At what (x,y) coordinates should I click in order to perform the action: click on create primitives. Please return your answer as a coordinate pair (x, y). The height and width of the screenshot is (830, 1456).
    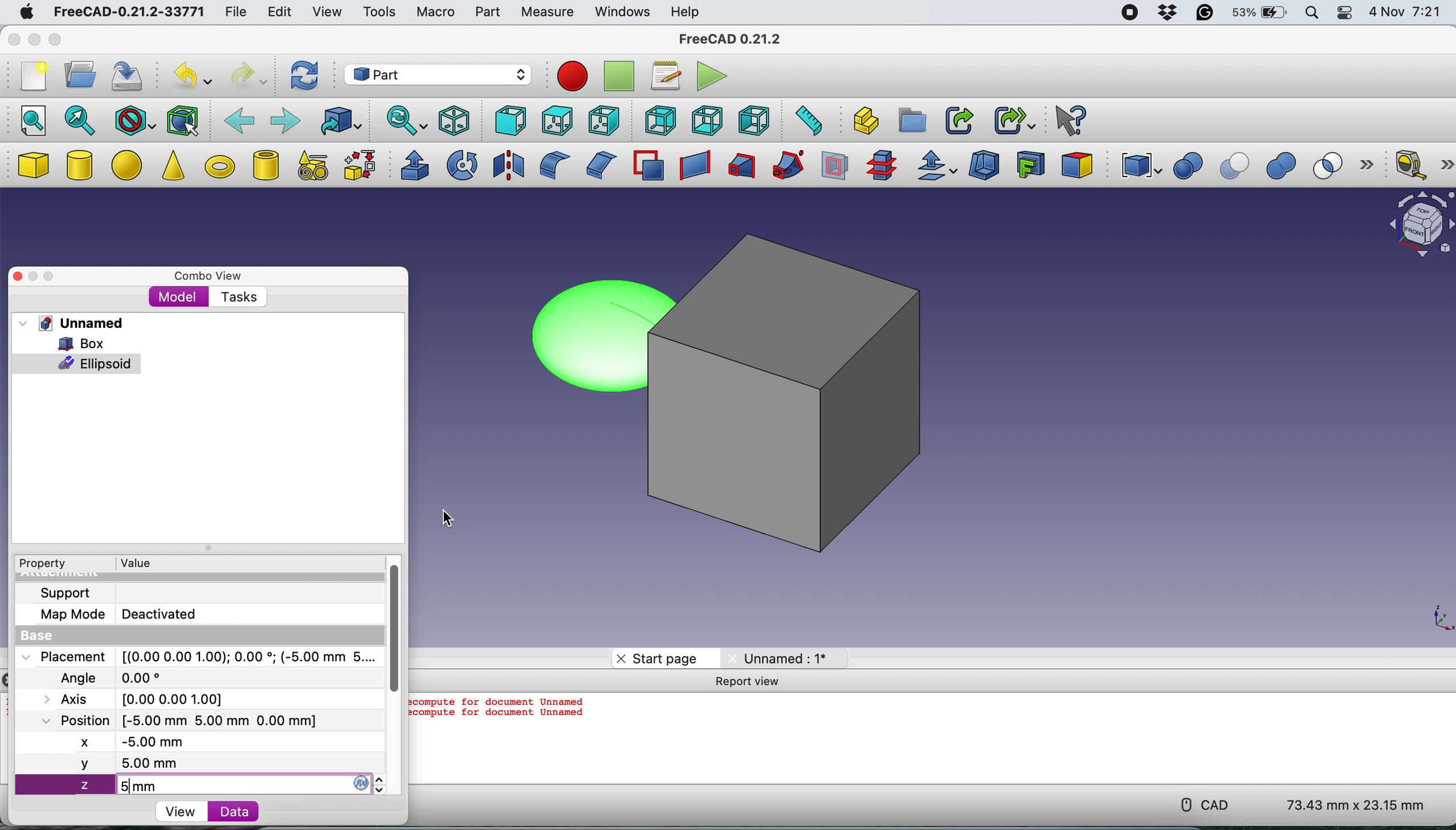
    Looking at the image, I should click on (309, 166).